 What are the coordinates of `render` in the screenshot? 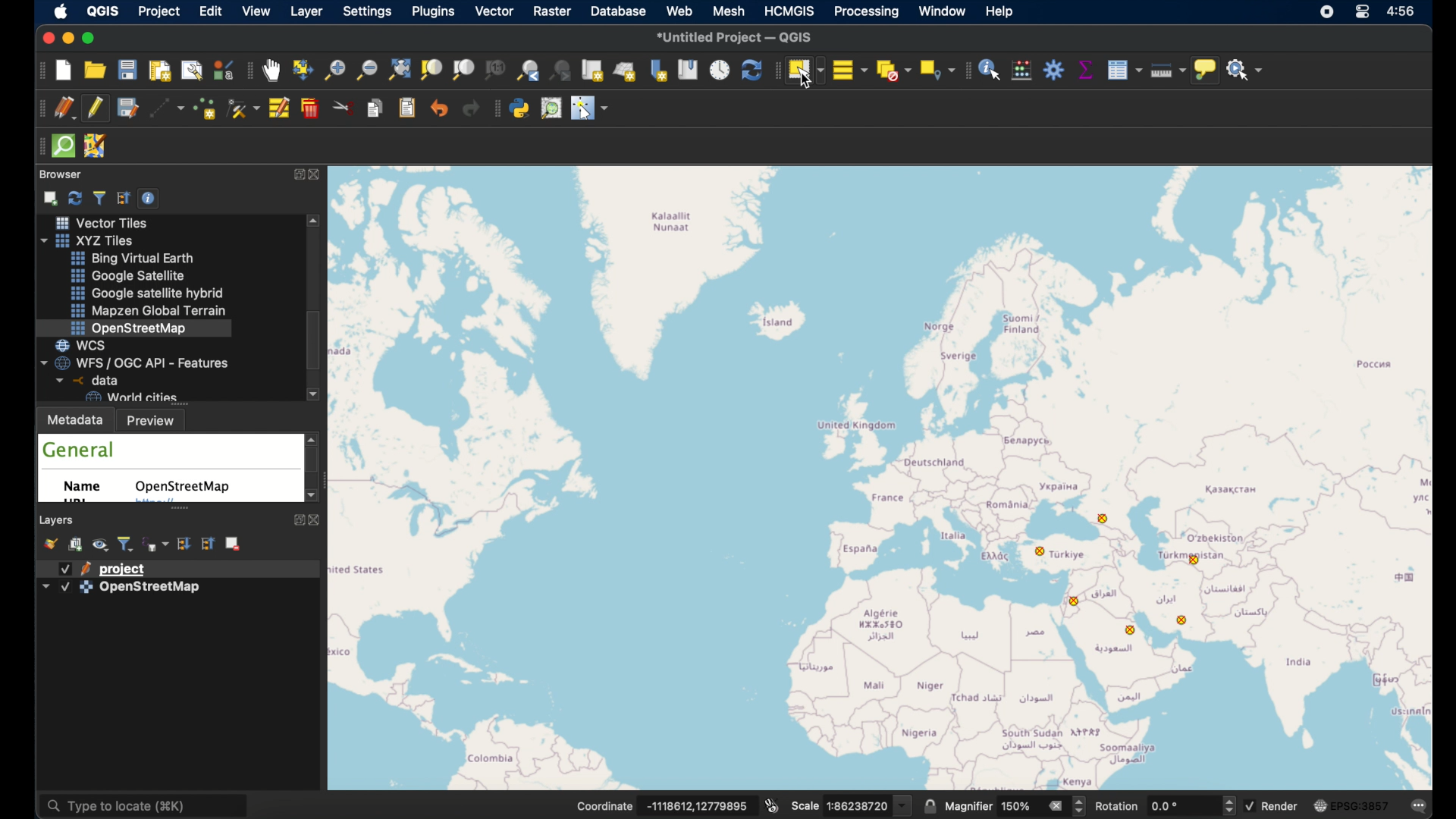 It's located at (1282, 805).